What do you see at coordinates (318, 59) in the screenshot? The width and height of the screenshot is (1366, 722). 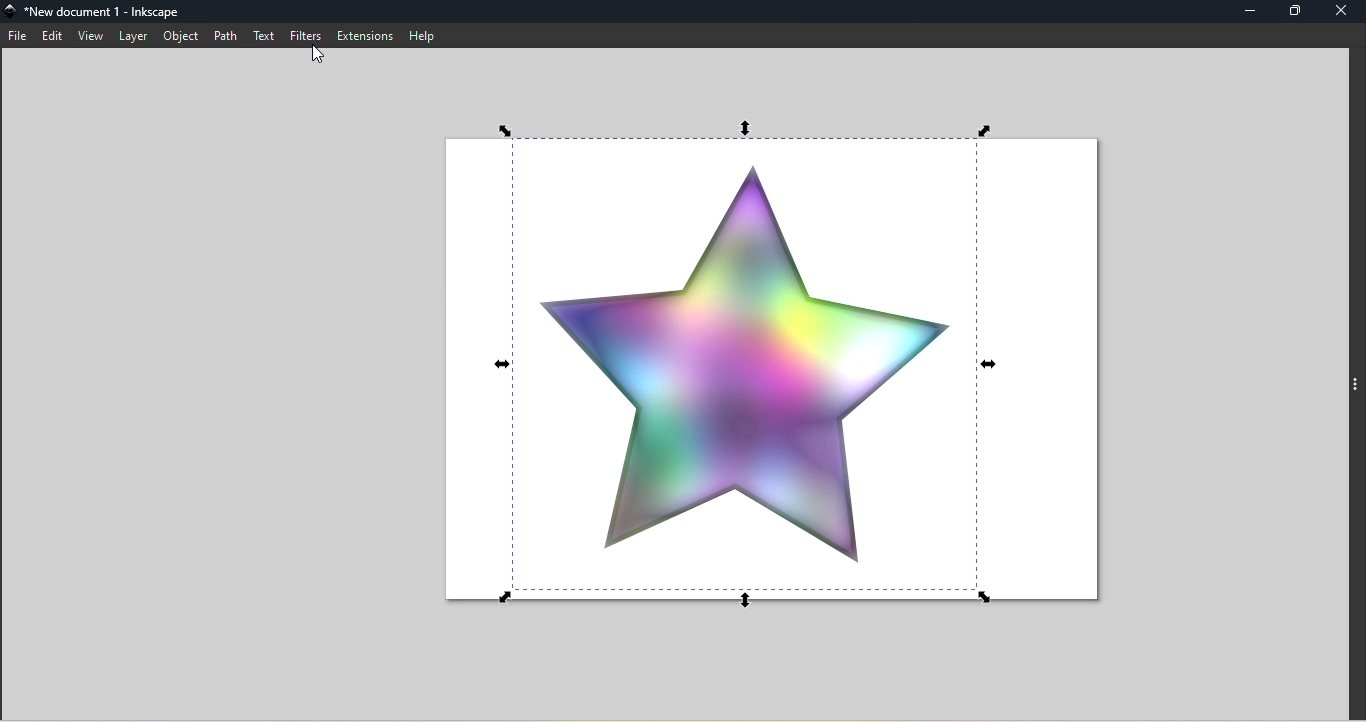 I see `Cursor` at bounding box center [318, 59].